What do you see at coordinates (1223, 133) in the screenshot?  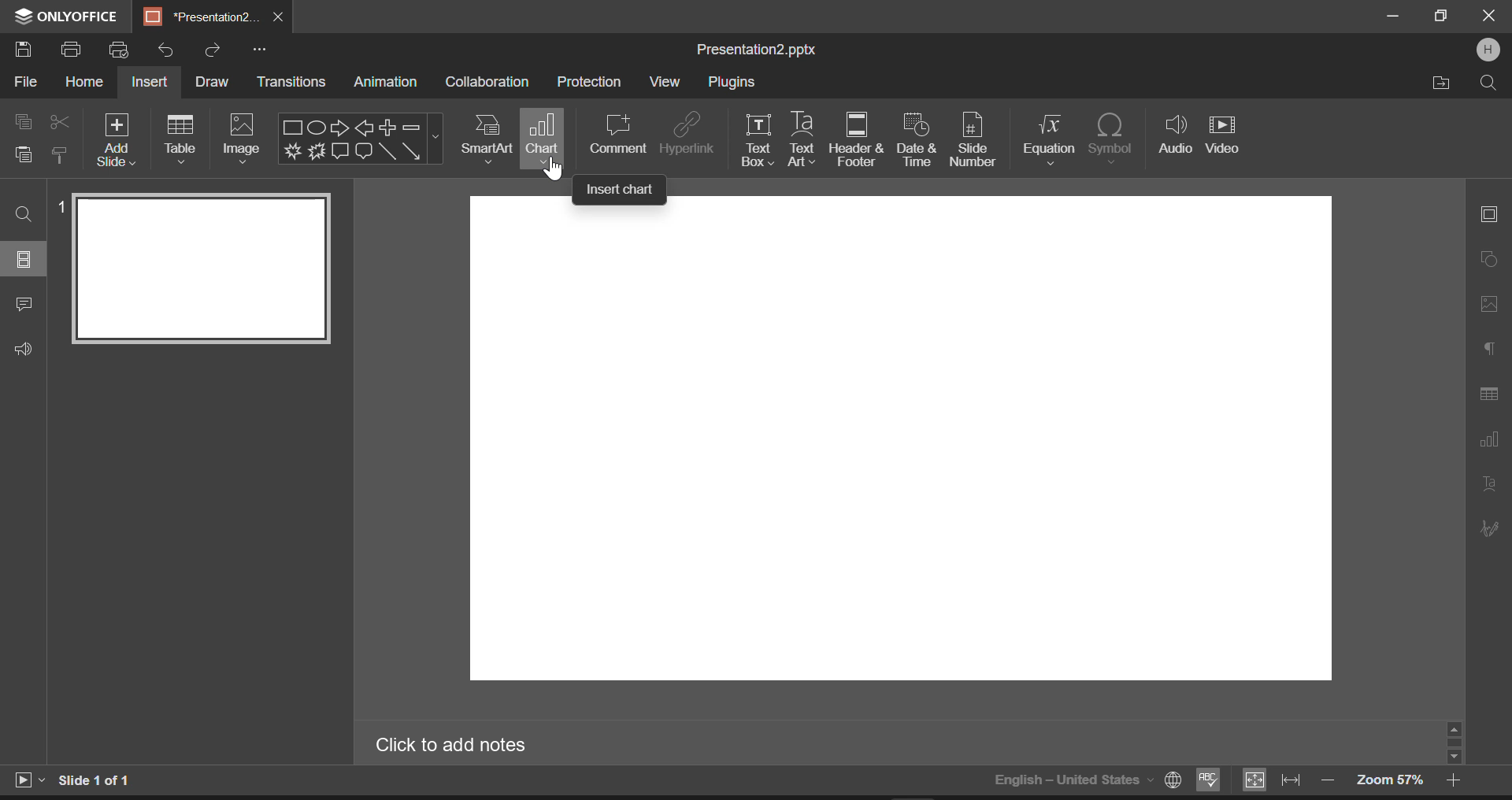 I see `Video` at bounding box center [1223, 133].